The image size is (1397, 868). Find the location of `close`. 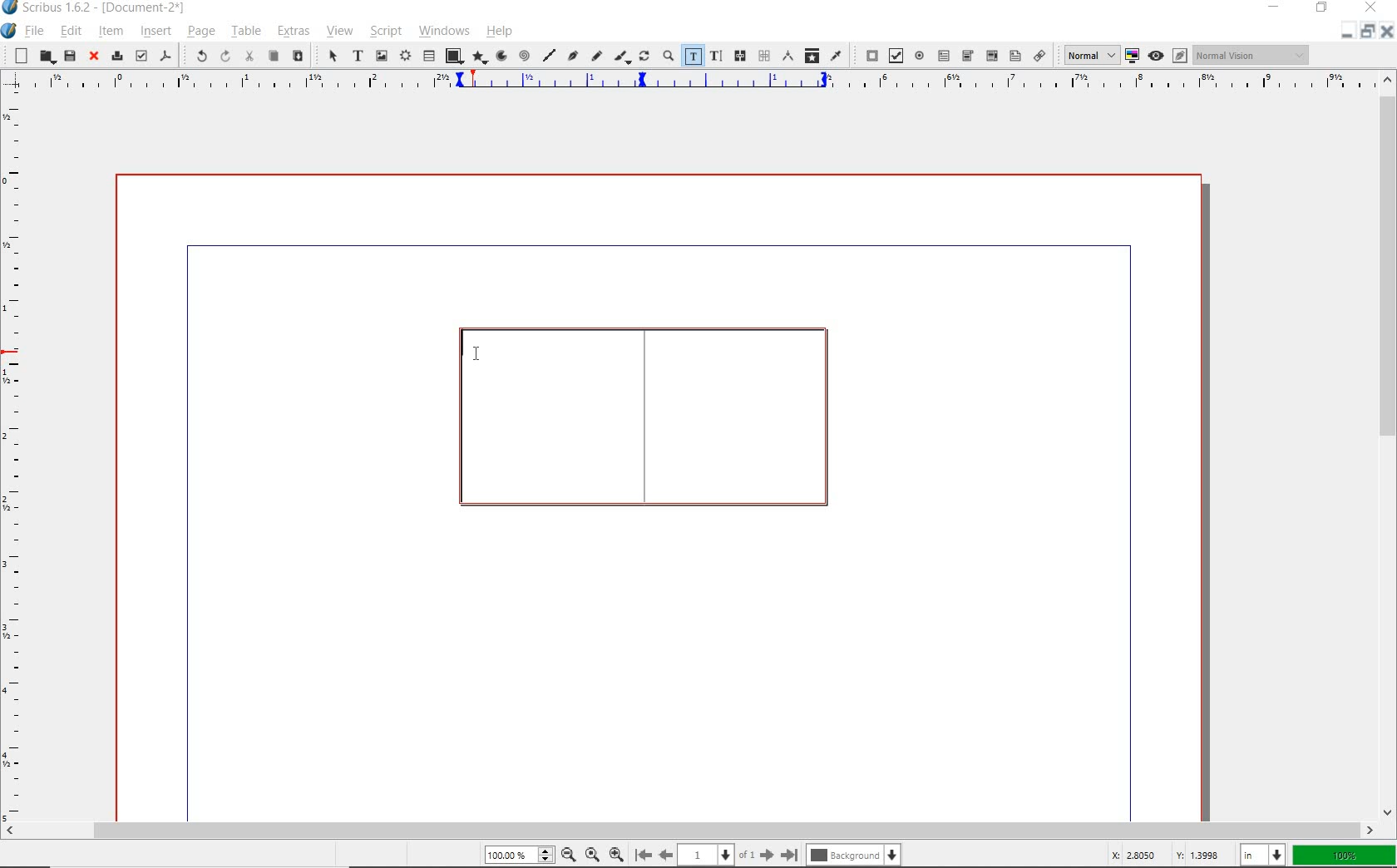

close is located at coordinates (93, 57).